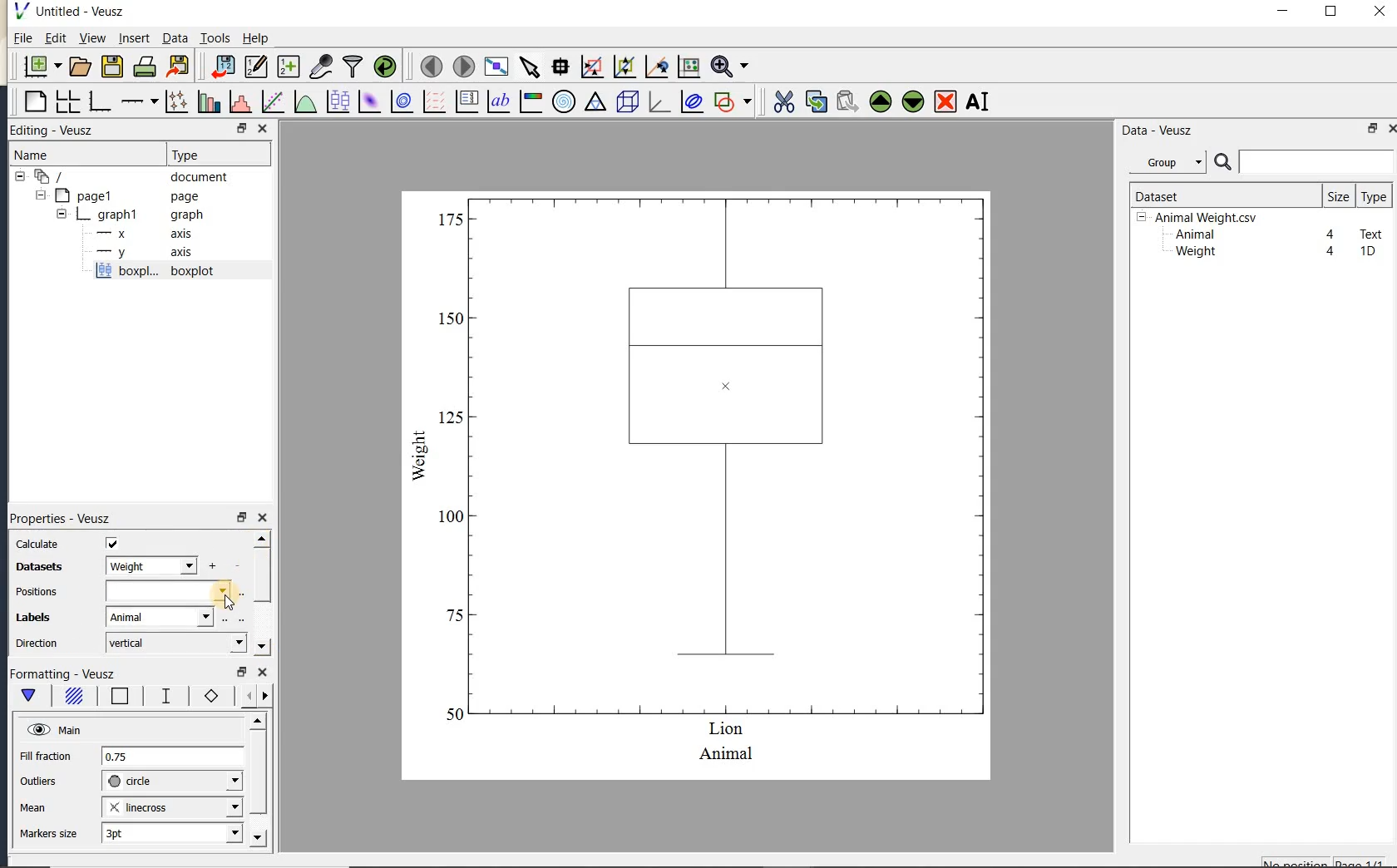 This screenshot has height=868, width=1397. I want to click on insert, so click(134, 37).